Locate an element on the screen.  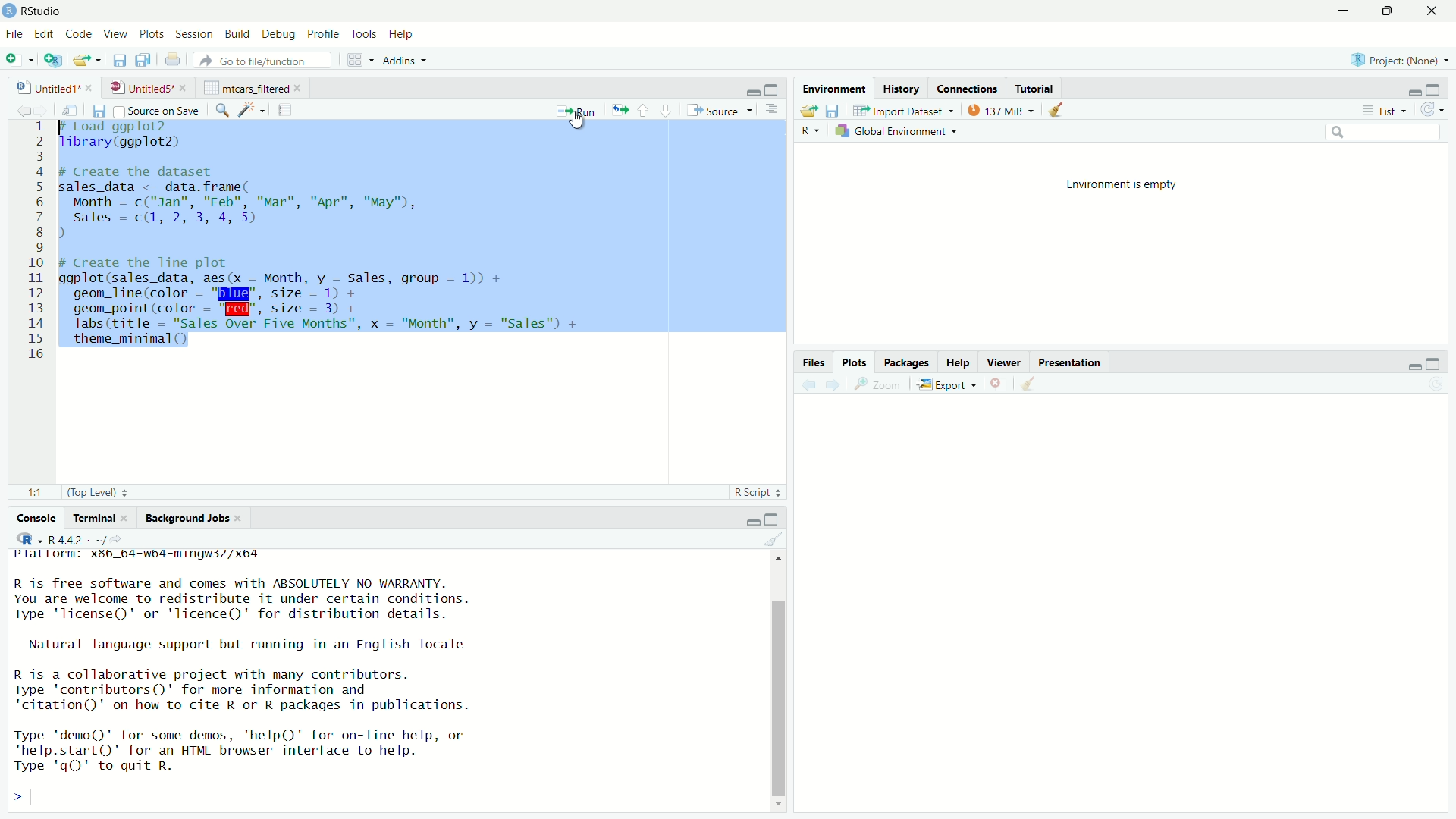
# Load ggplot2 library(ggplot2)# Create the datasetsales_data <- data.frame(Month - c("Jan", "Feb", "Mar", "Apr", "May"),Sales = c(1, 2, 3, 4, 5))# Create the line plotggplot(sales_data, aes(x = Month, y = Sales, group = 1)) +geom_Tine(color = " ", size = 1) +geom_point (color = " ", size = 3) +labs (title = "sales ayer Five Months", x = "Month", y = "Sales") +theme_minimal() is located at coordinates (327, 239).